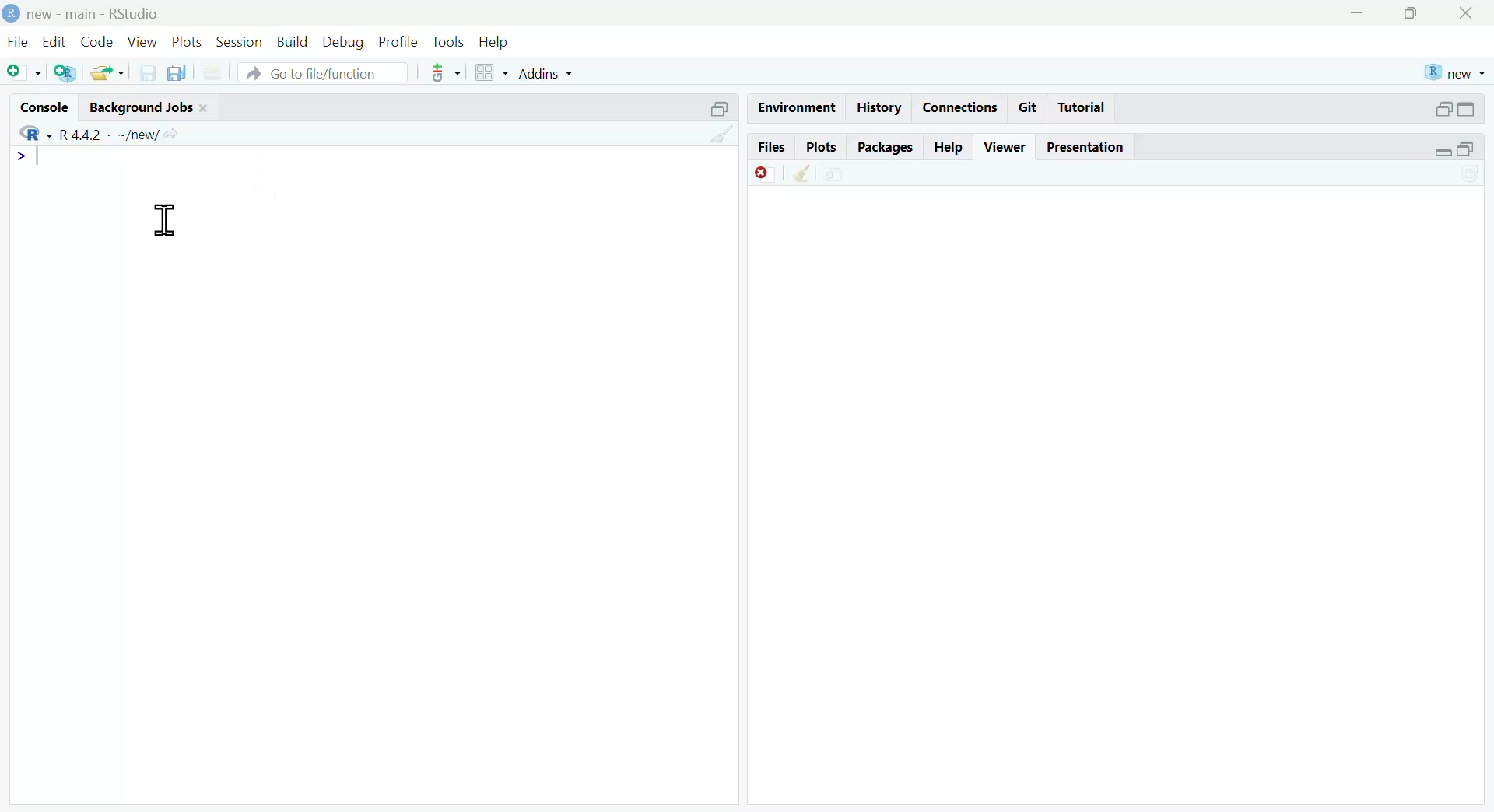  Describe the element at coordinates (398, 42) in the screenshot. I see `Profile` at that location.